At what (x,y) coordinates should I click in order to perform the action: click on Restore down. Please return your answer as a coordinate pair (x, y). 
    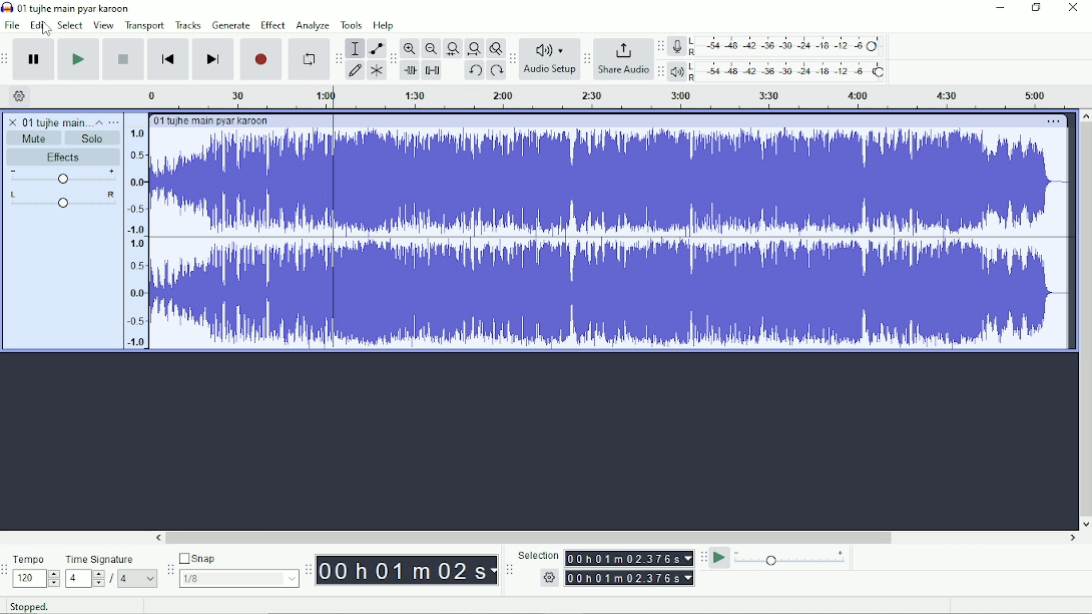
    Looking at the image, I should click on (1037, 9).